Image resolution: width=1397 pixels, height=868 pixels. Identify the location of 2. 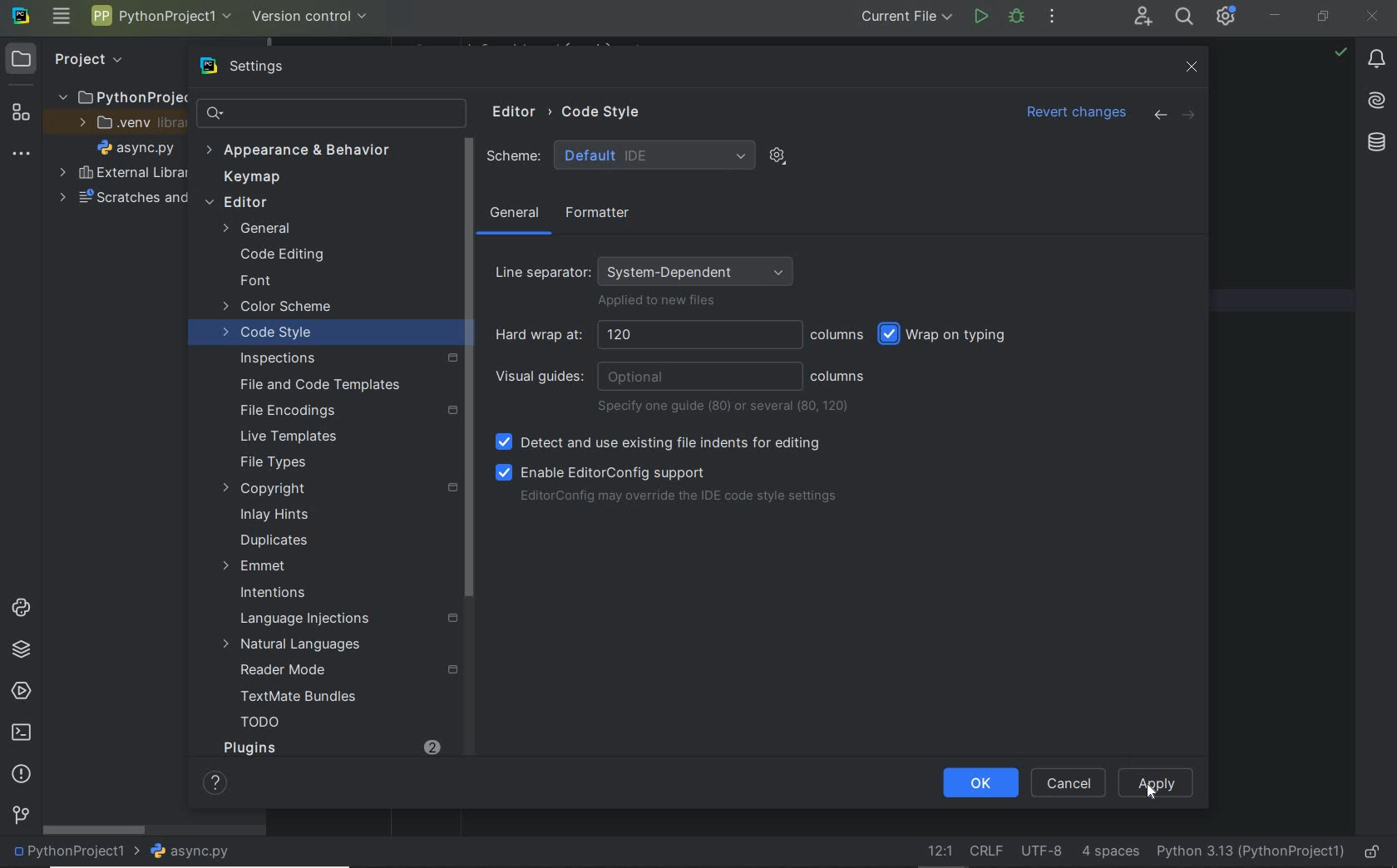
(427, 748).